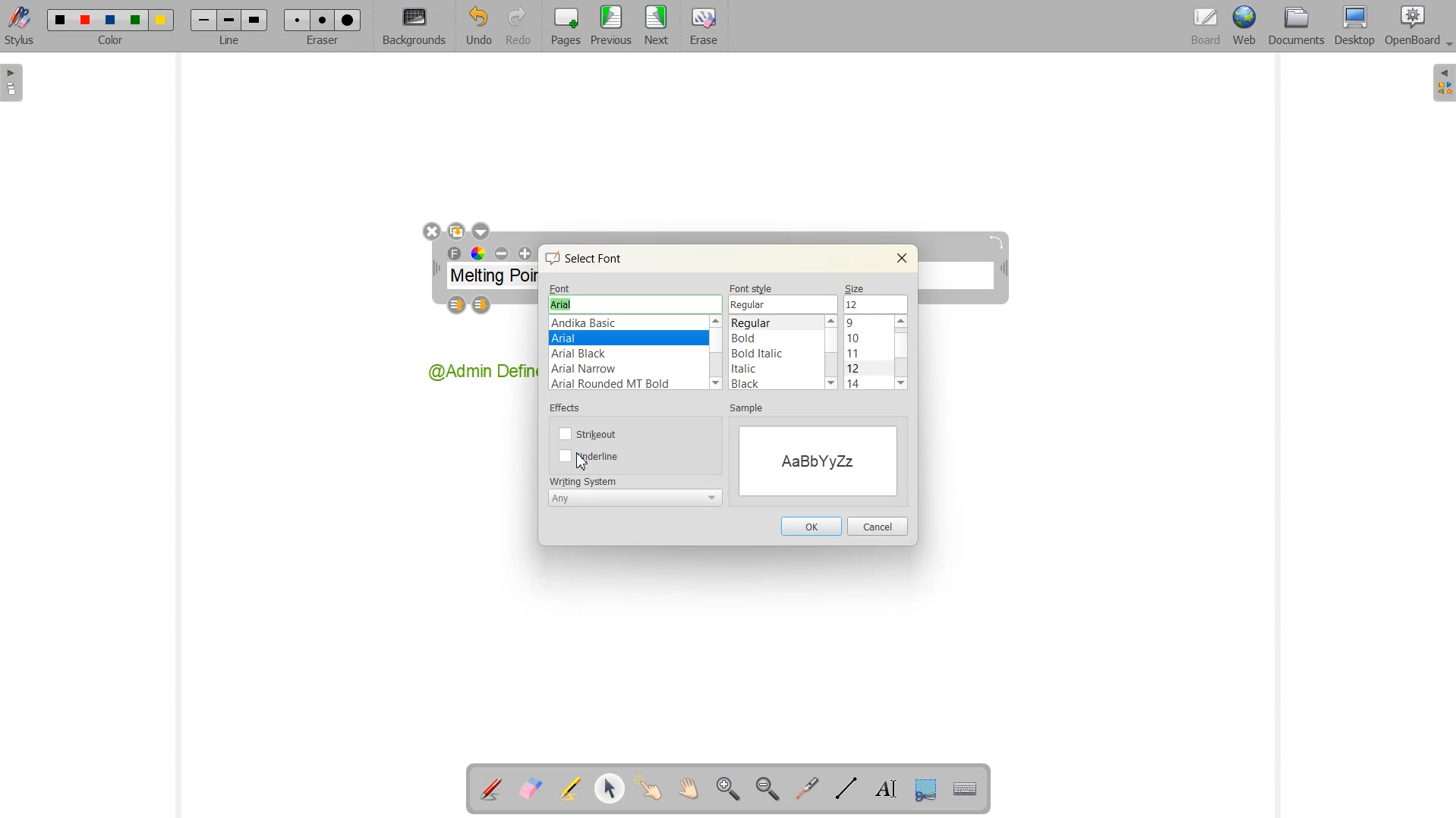 Image resolution: width=1456 pixels, height=818 pixels. Describe the element at coordinates (1243, 27) in the screenshot. I see `Web` at that location.